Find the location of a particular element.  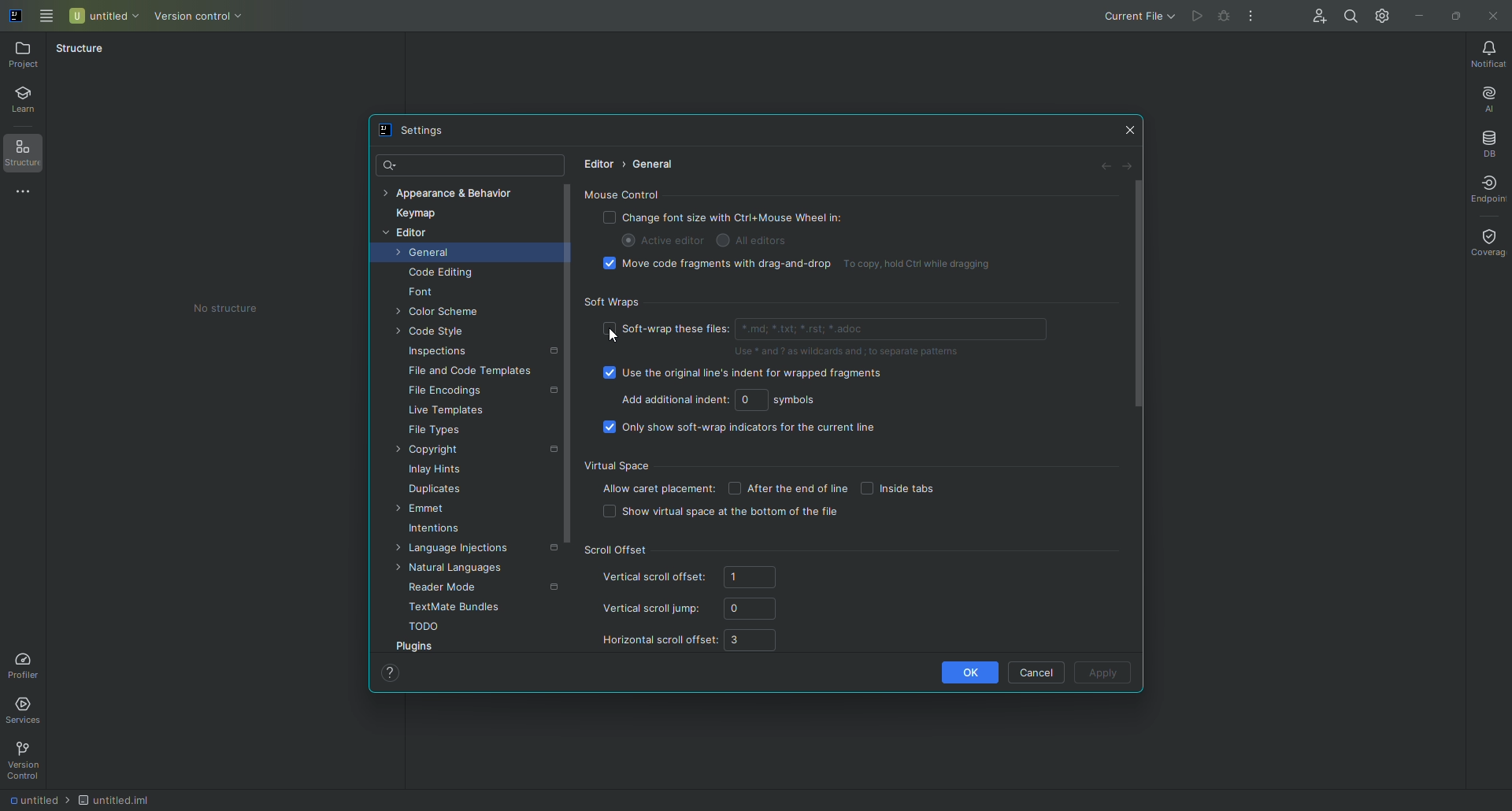

Virtual Space is located at coordinates (620, 464).